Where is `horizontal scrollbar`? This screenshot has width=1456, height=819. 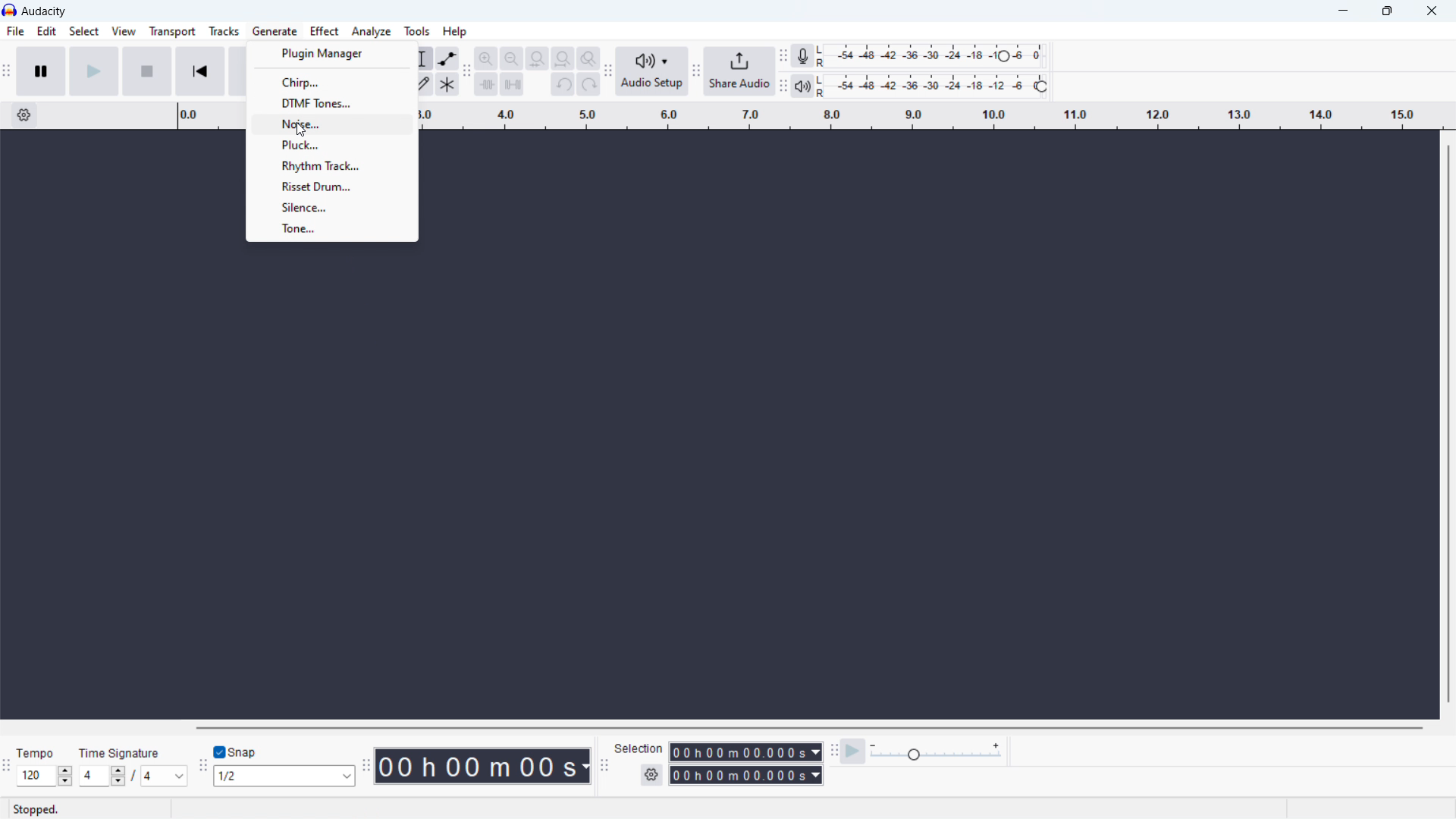
horizontal scrollbar is located at coordinates (805, 727).